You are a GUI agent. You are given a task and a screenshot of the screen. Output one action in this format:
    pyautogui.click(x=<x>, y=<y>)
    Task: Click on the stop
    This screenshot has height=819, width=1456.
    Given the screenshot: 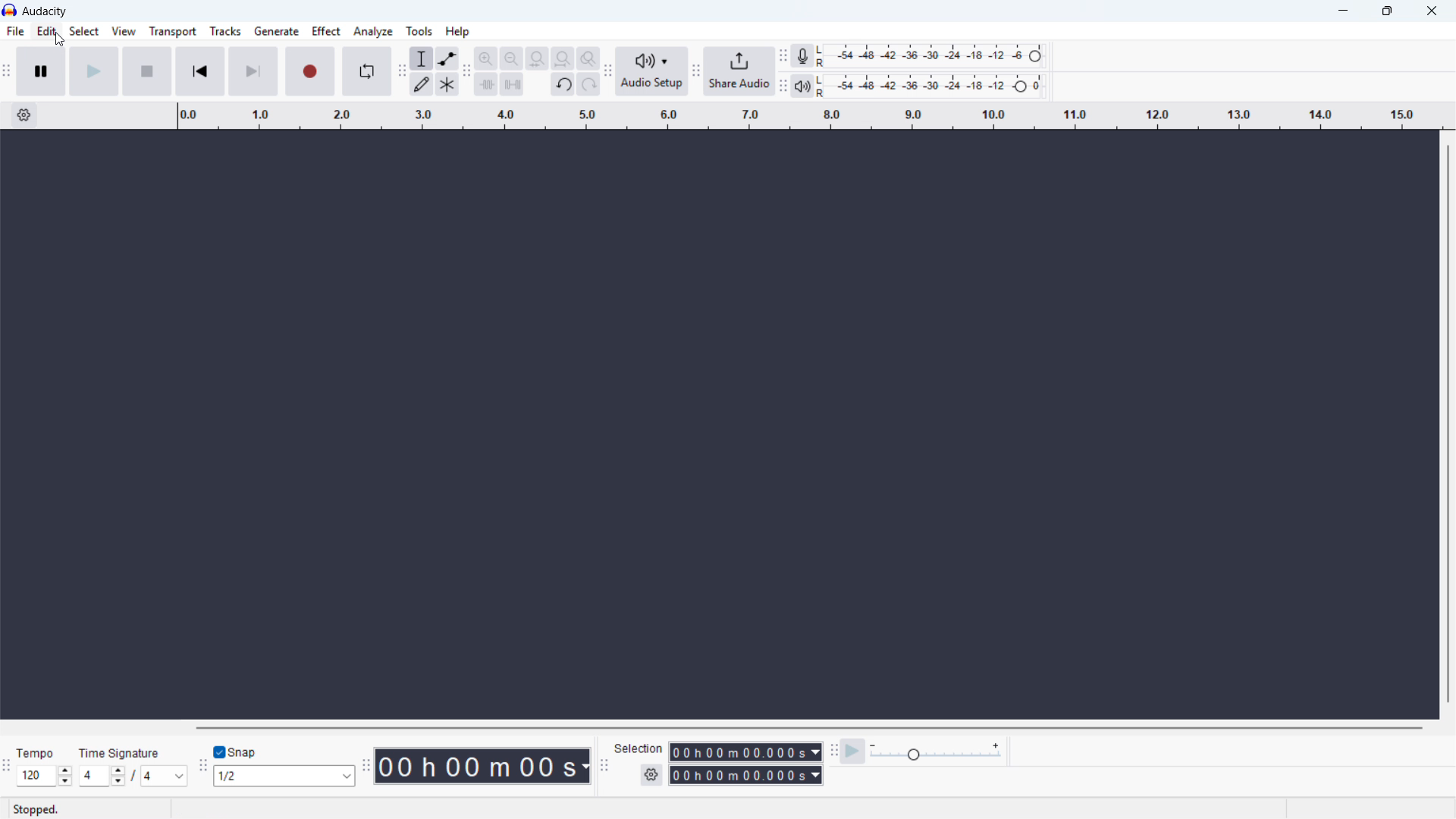 What is the action you would take?
    pyautogui.click(x=148, y=71)
    